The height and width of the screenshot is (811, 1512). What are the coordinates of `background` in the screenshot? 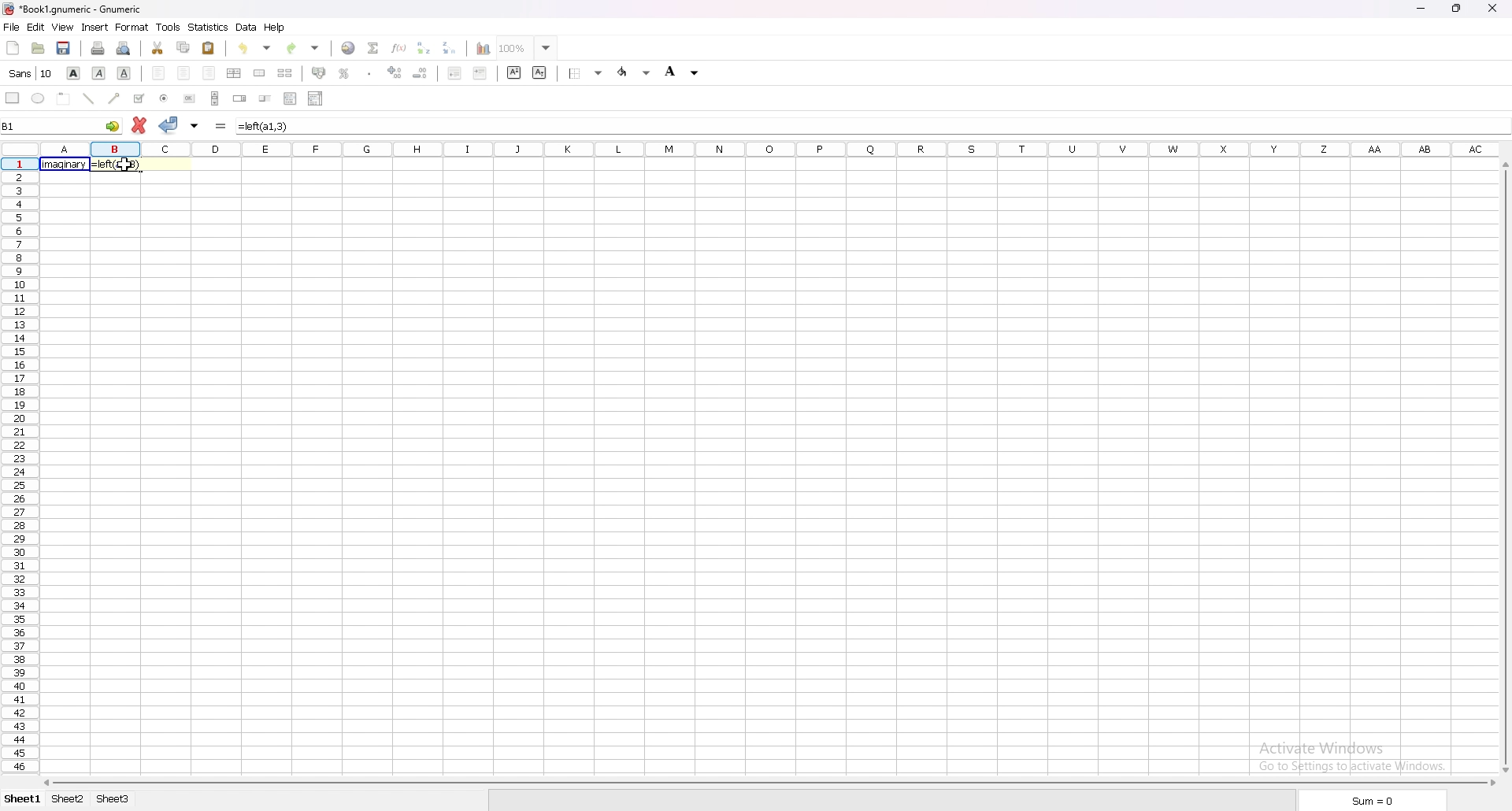 It's located at (683, 73).